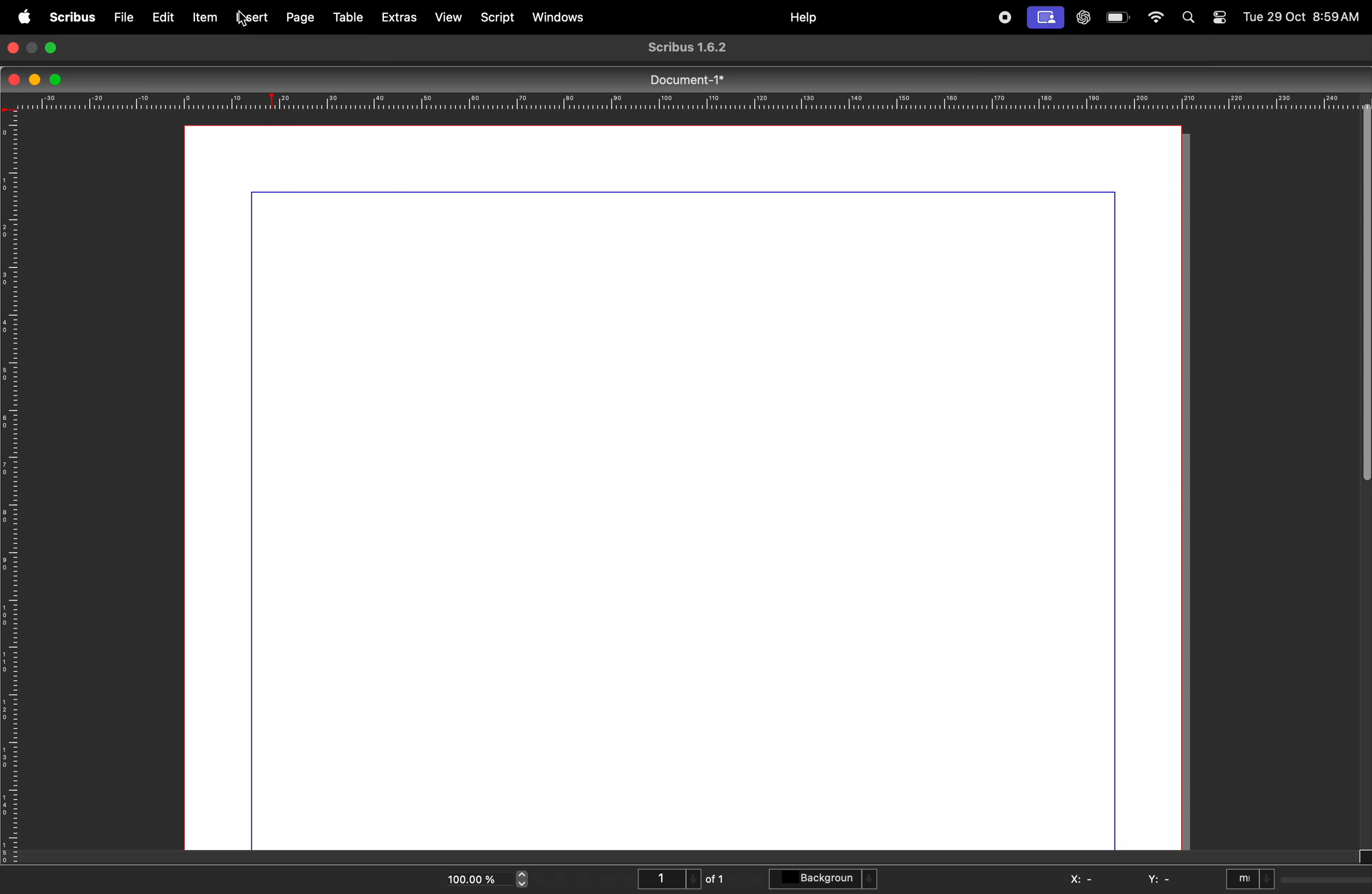 This screenshot has height=894, width=1372. What do you see at coordinates (70, 17) in the screenshot?
I see `scribus` at bounding box center [70, 17].